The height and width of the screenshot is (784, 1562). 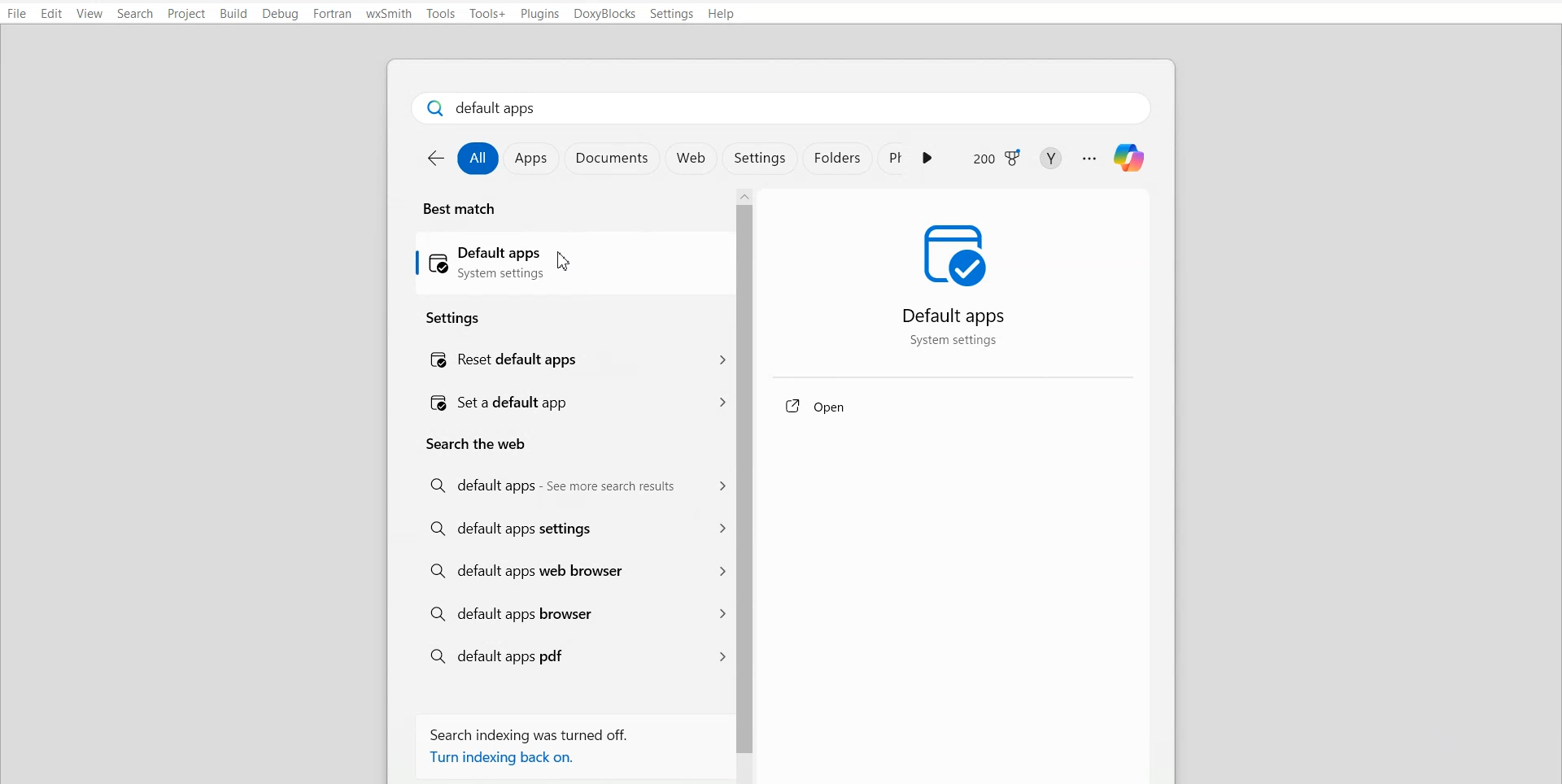 I want to click on Search, so click(x=135, y=14).